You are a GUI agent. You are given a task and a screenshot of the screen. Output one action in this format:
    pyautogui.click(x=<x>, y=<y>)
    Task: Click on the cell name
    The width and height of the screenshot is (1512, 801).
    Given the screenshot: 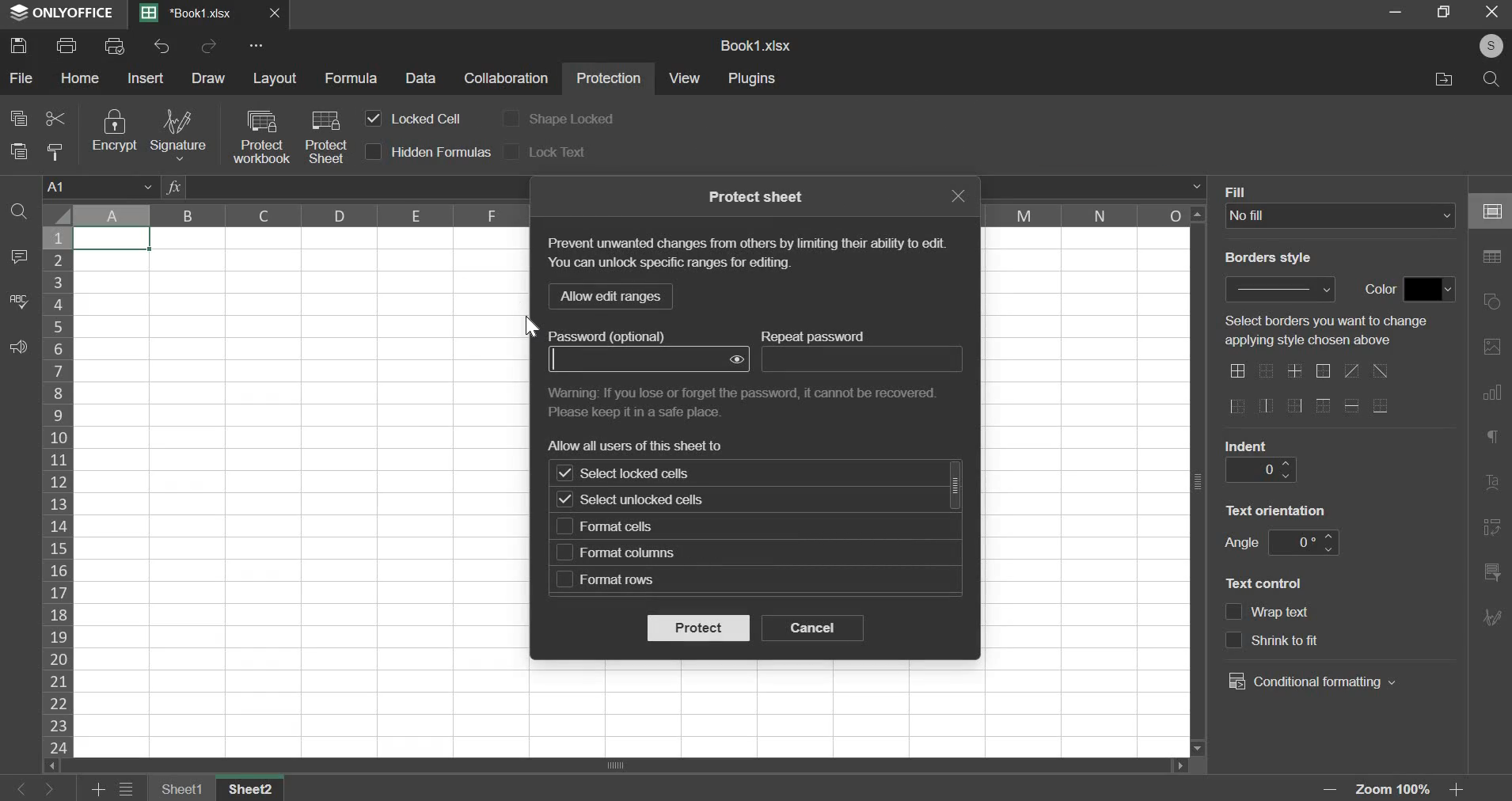 What is the action you would take?
    pyautogui.click(x=101, y=185)
    